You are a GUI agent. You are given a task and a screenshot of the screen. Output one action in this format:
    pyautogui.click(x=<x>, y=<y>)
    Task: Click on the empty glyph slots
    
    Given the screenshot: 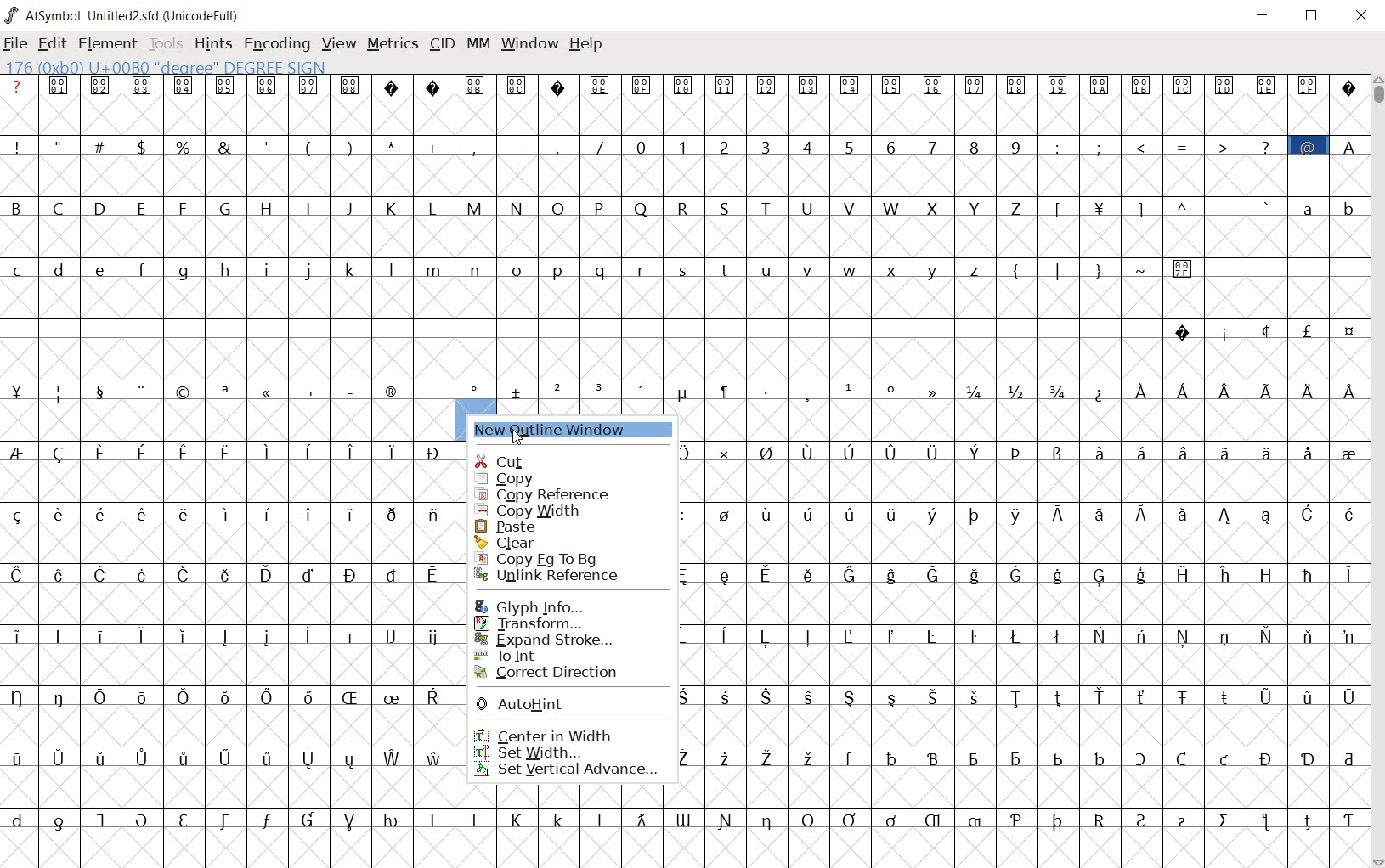 What is the action you would take?
    pyautogui.click(x=642, y=177)
    